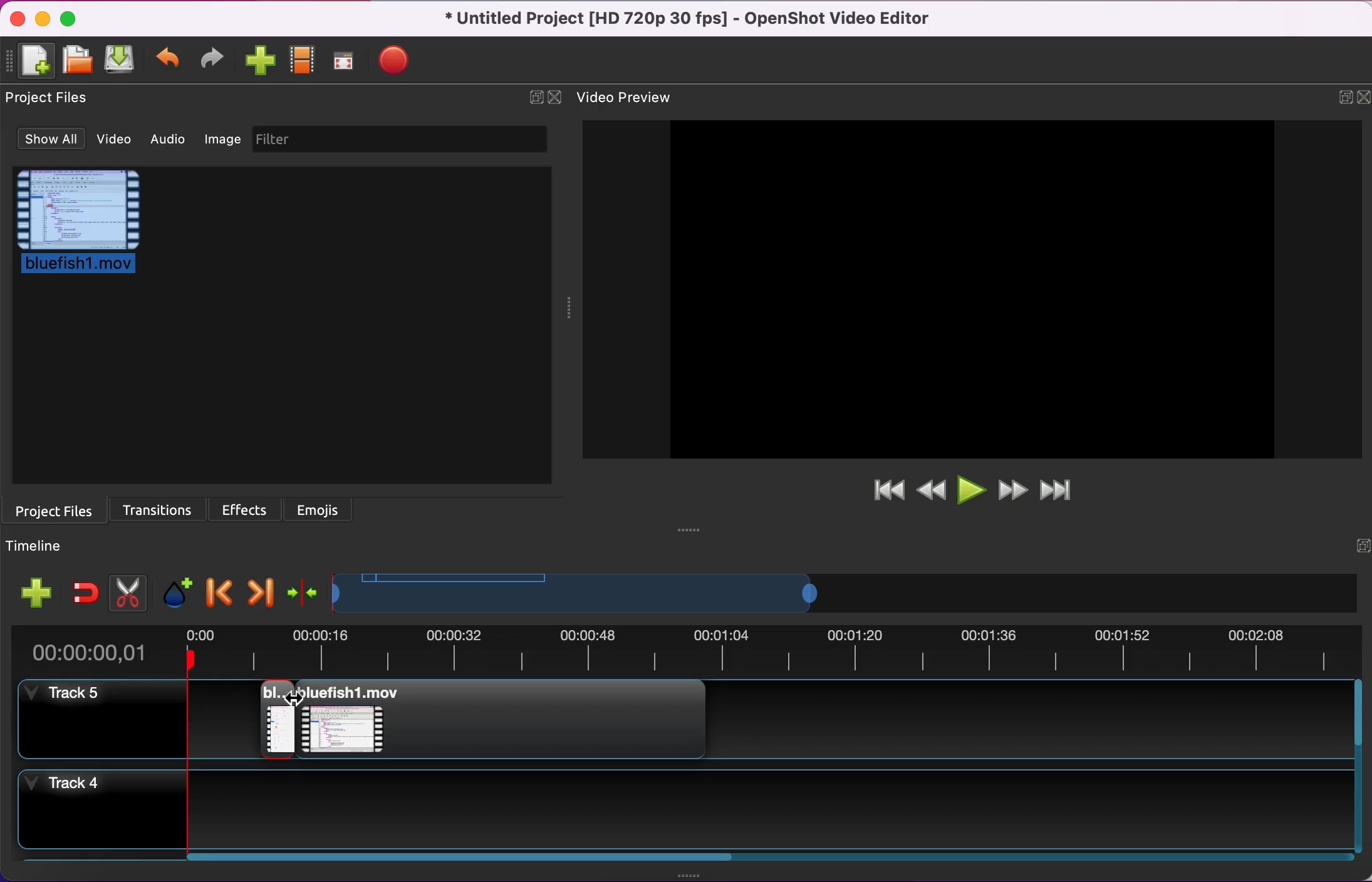 Image resolution: width=1372 pixels, height=882 pixels. Describe the element at coordinates (224, 143) in the screenshot. I see `image` at that location.